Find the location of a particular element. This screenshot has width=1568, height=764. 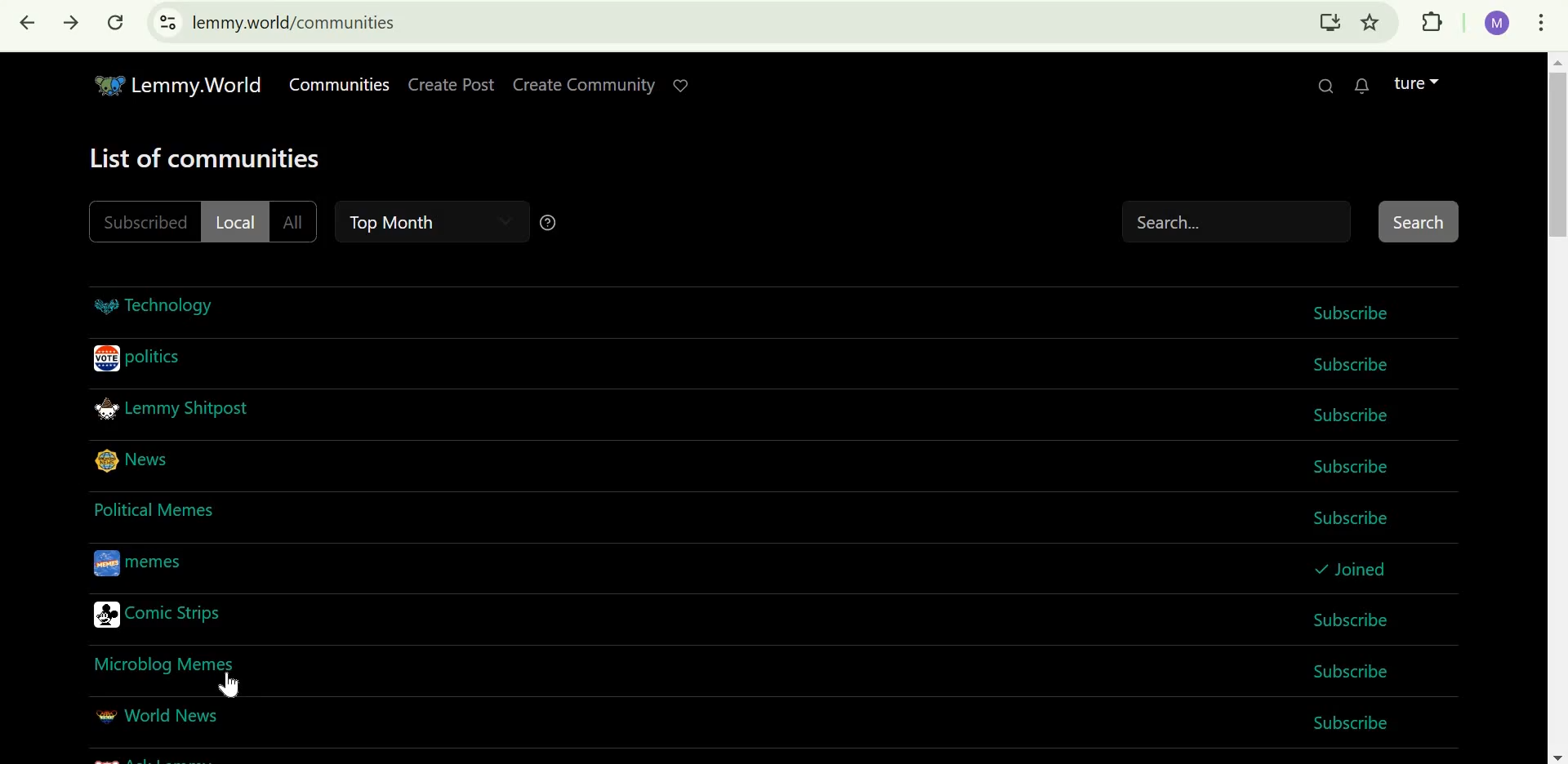

create post is located at coordinates (452, 84).